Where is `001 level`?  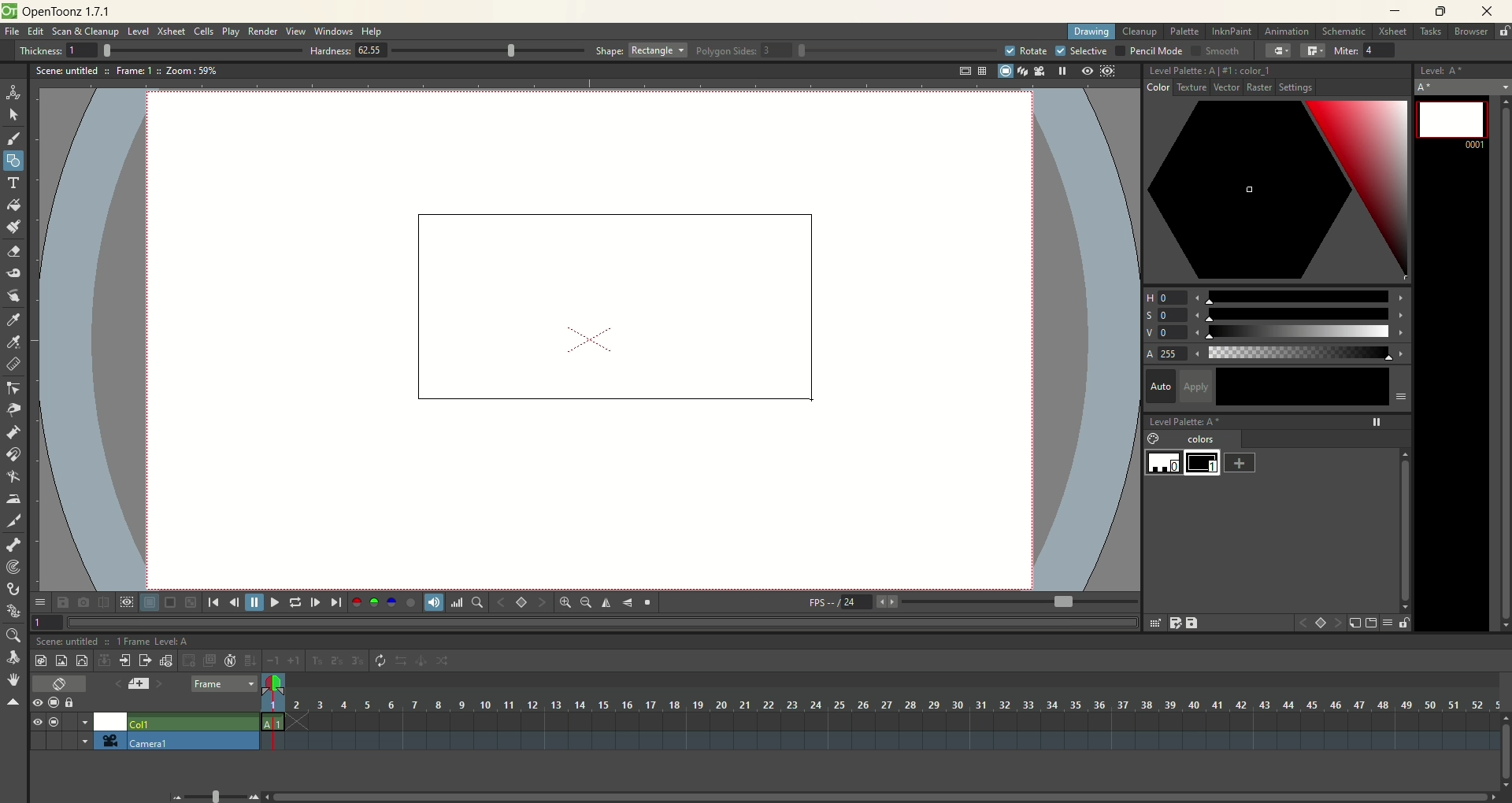
001 level is located at coordinates (1451, 122).